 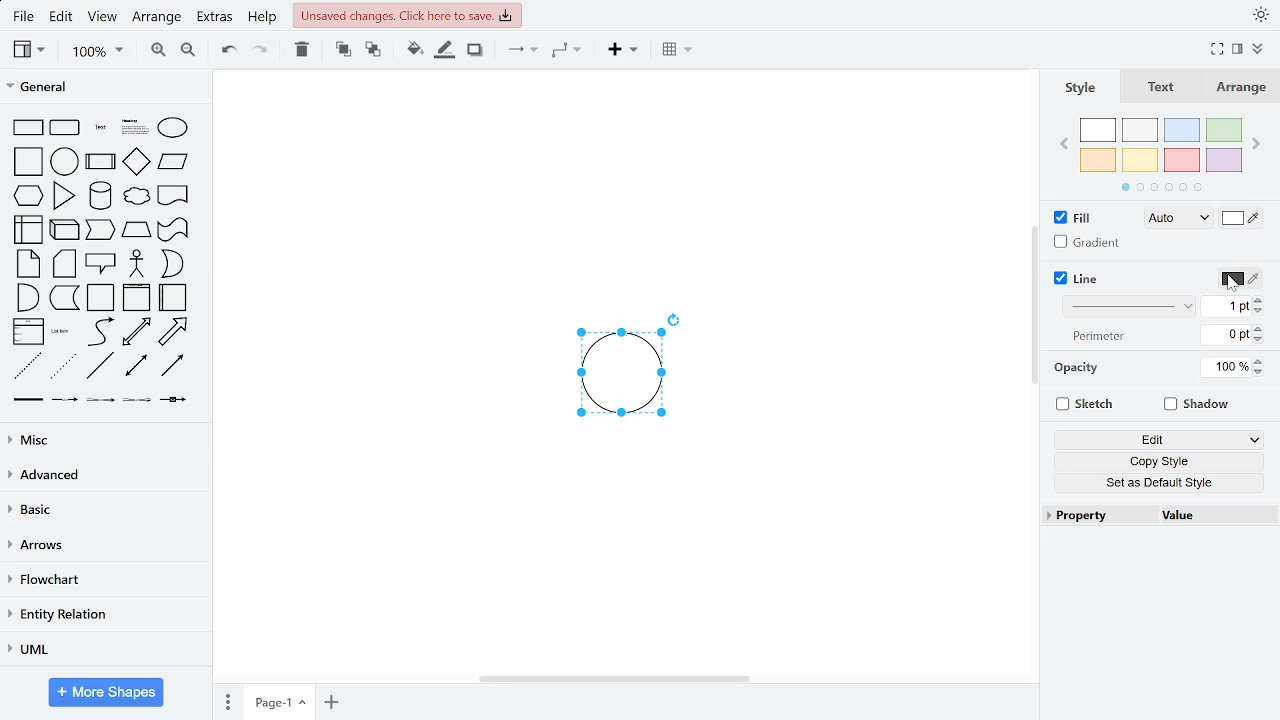 What do you see at coordinates (1078, 219) in the screenshot?
I see `fill` at bounding box center [1078, 219].